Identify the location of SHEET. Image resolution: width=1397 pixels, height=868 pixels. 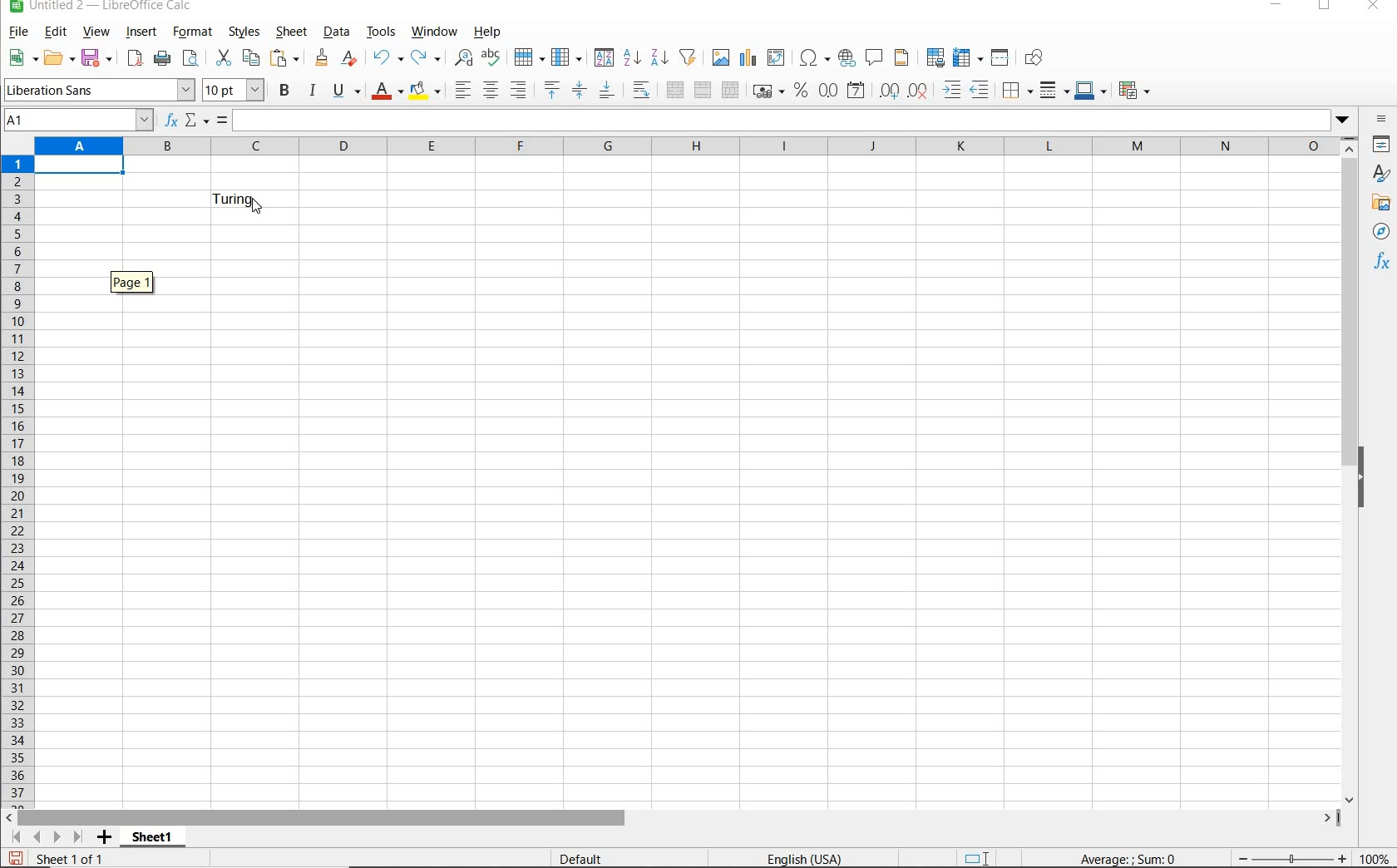
(293, 33).